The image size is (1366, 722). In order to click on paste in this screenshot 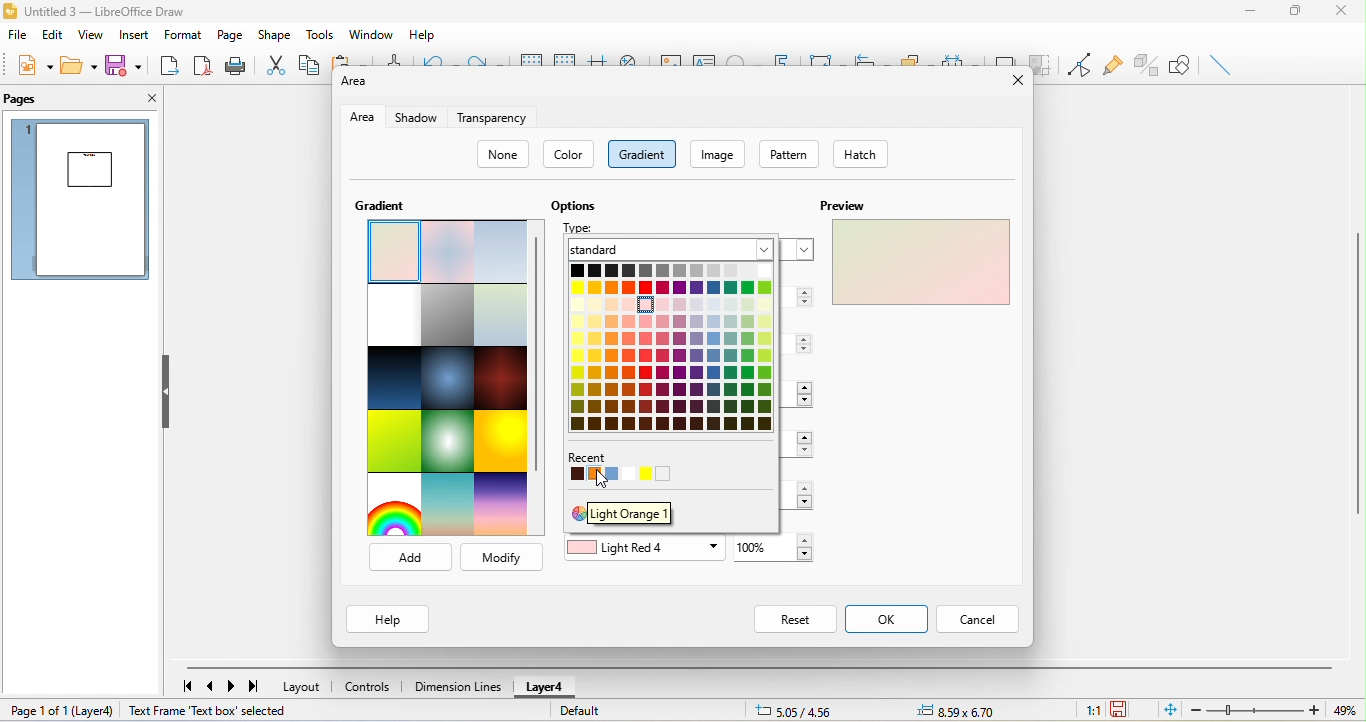, I will do `click(350, 59)`.